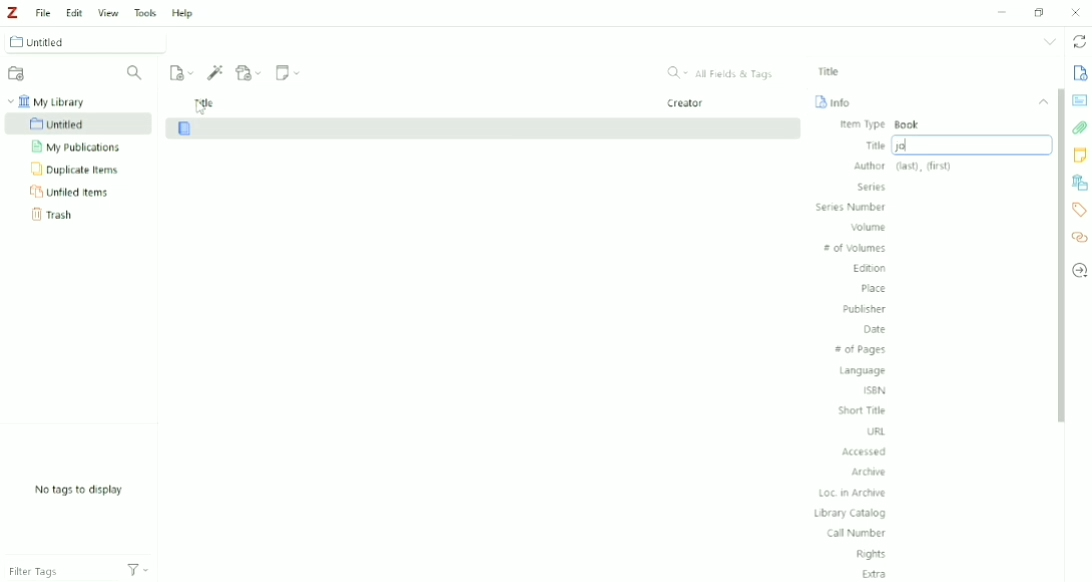 Image resolution: width=1092 pixels, height=582 pixels. What do you see at coordinates (1059, 258) in the screenshot?
I see `Vertical scrollbar` at bounding box center [1059, 258].